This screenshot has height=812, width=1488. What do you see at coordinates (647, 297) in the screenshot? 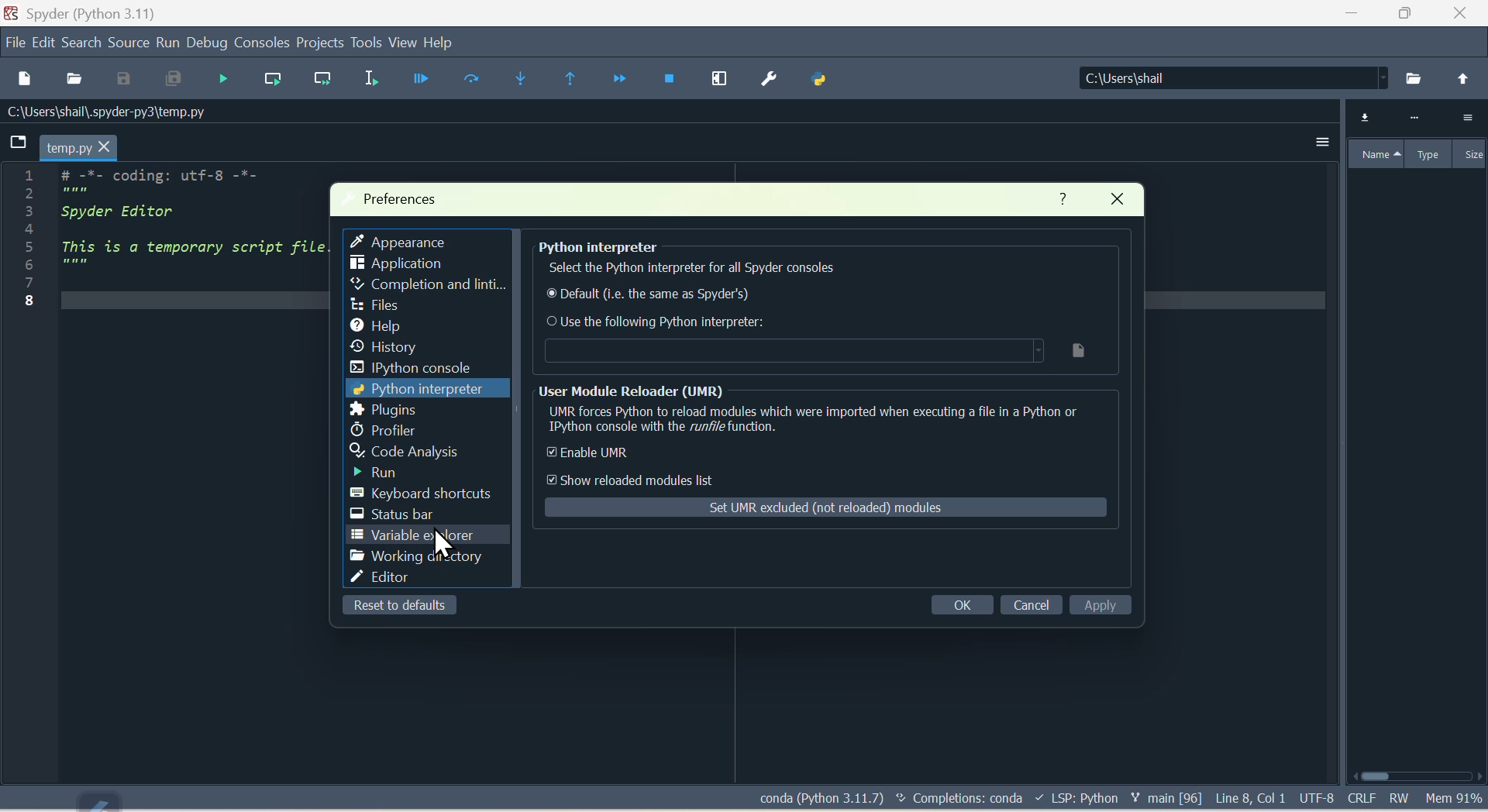
I see `Default (i.e. the same as Spyder's)` at bounding box center [647, 297].